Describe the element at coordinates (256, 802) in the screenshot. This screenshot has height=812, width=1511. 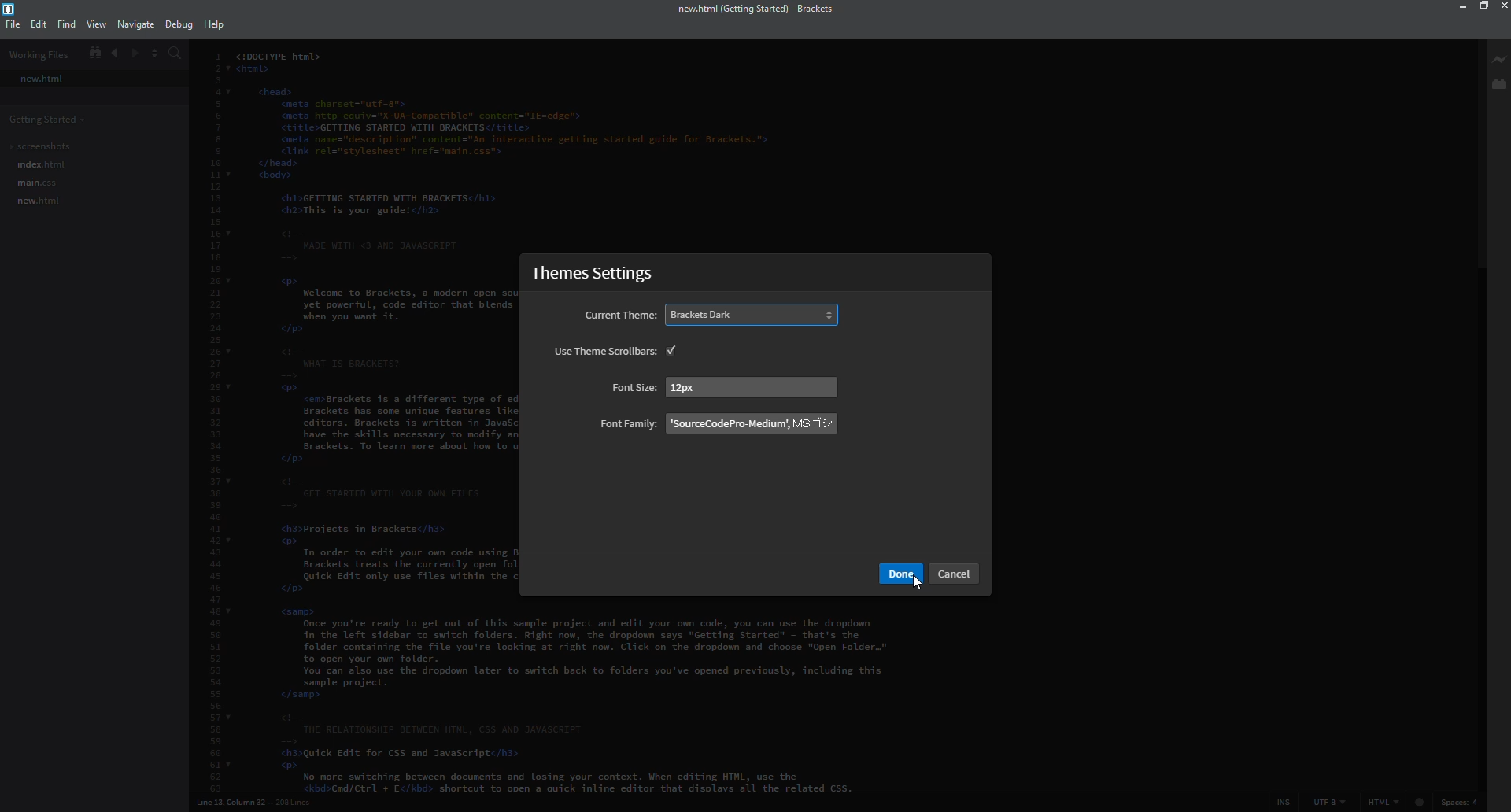
I see `line number` at that location.